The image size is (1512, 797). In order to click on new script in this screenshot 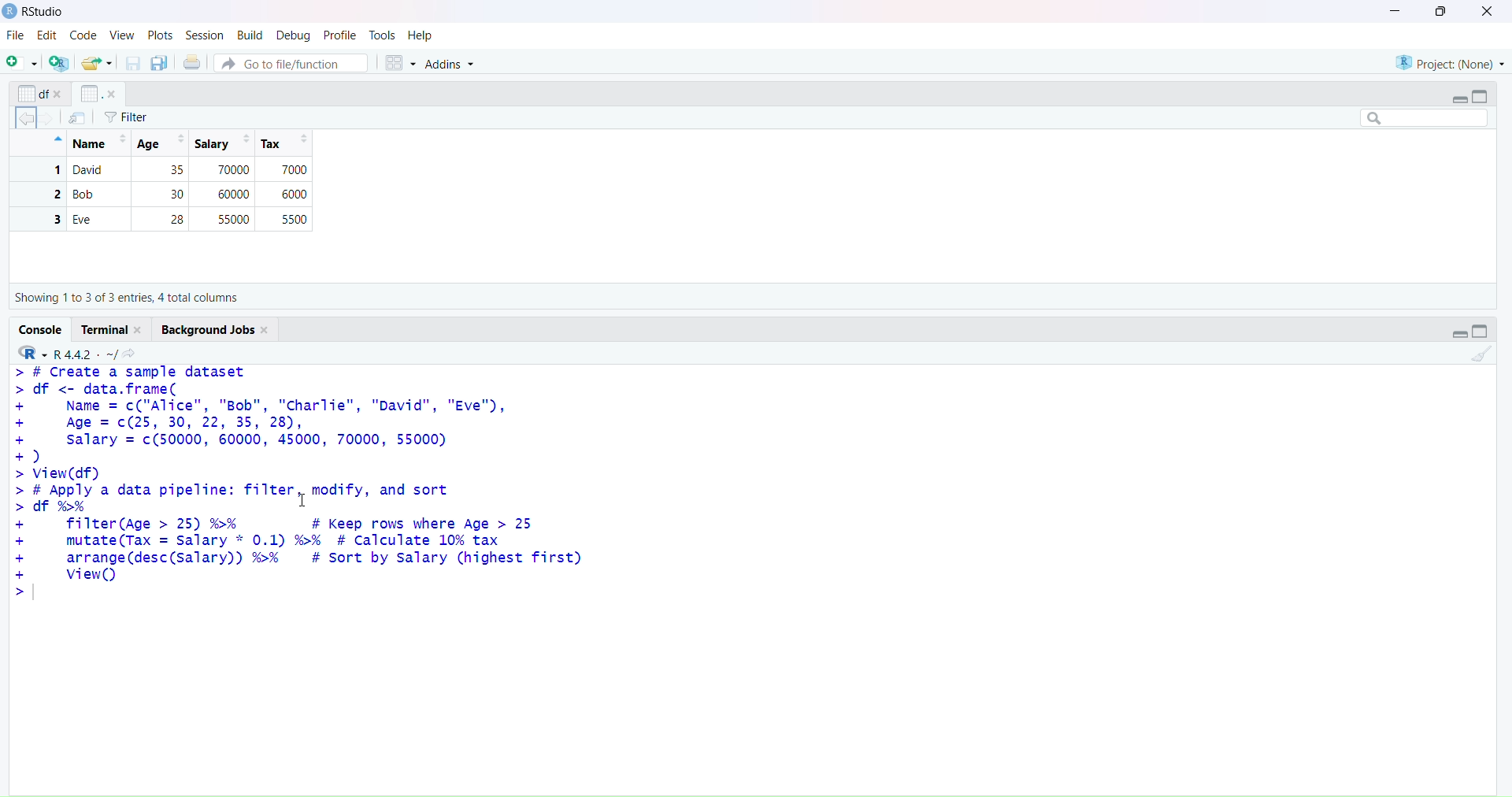, I will do `click(21, 63)`.